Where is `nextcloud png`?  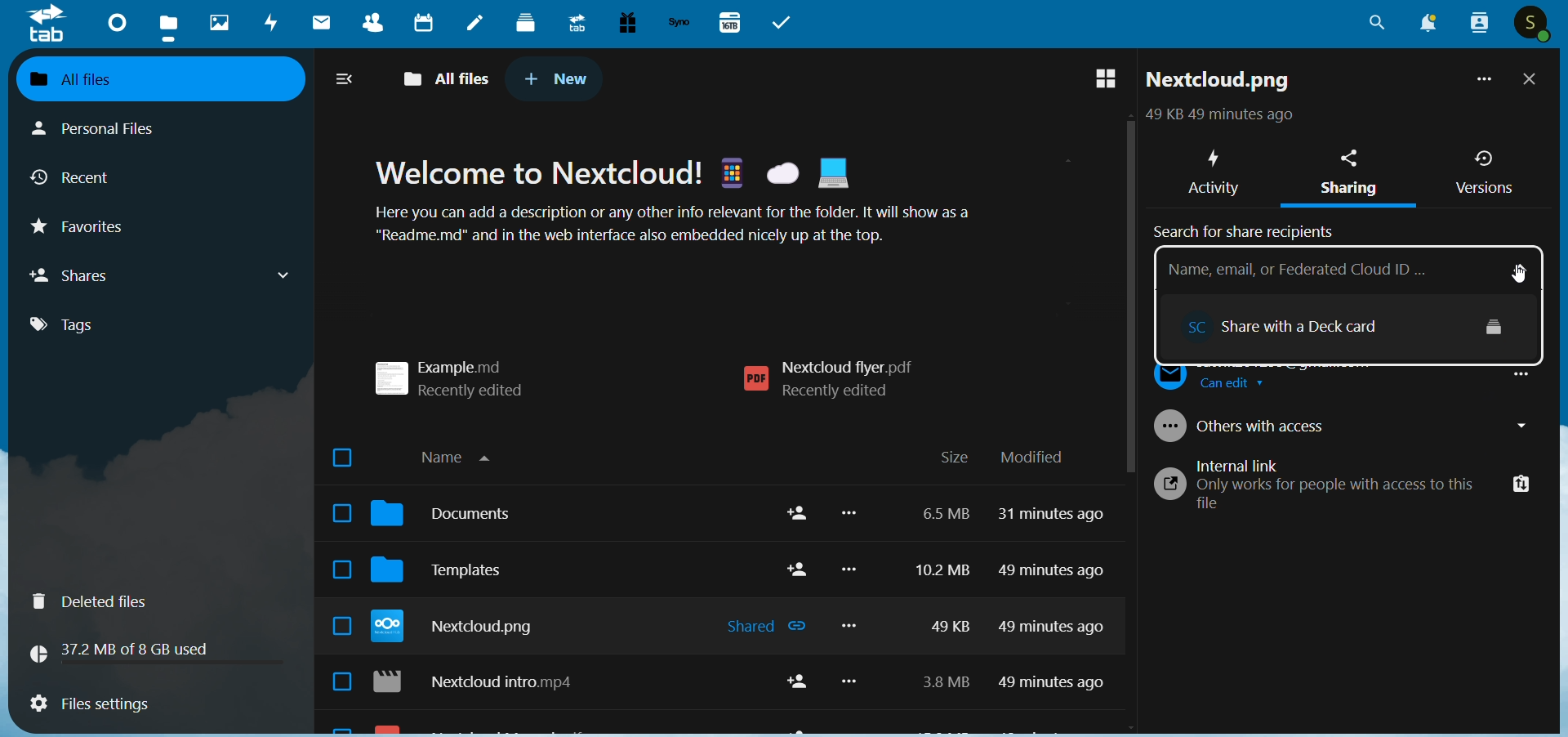 nextcloud png is located at coordinates (1219, 83).